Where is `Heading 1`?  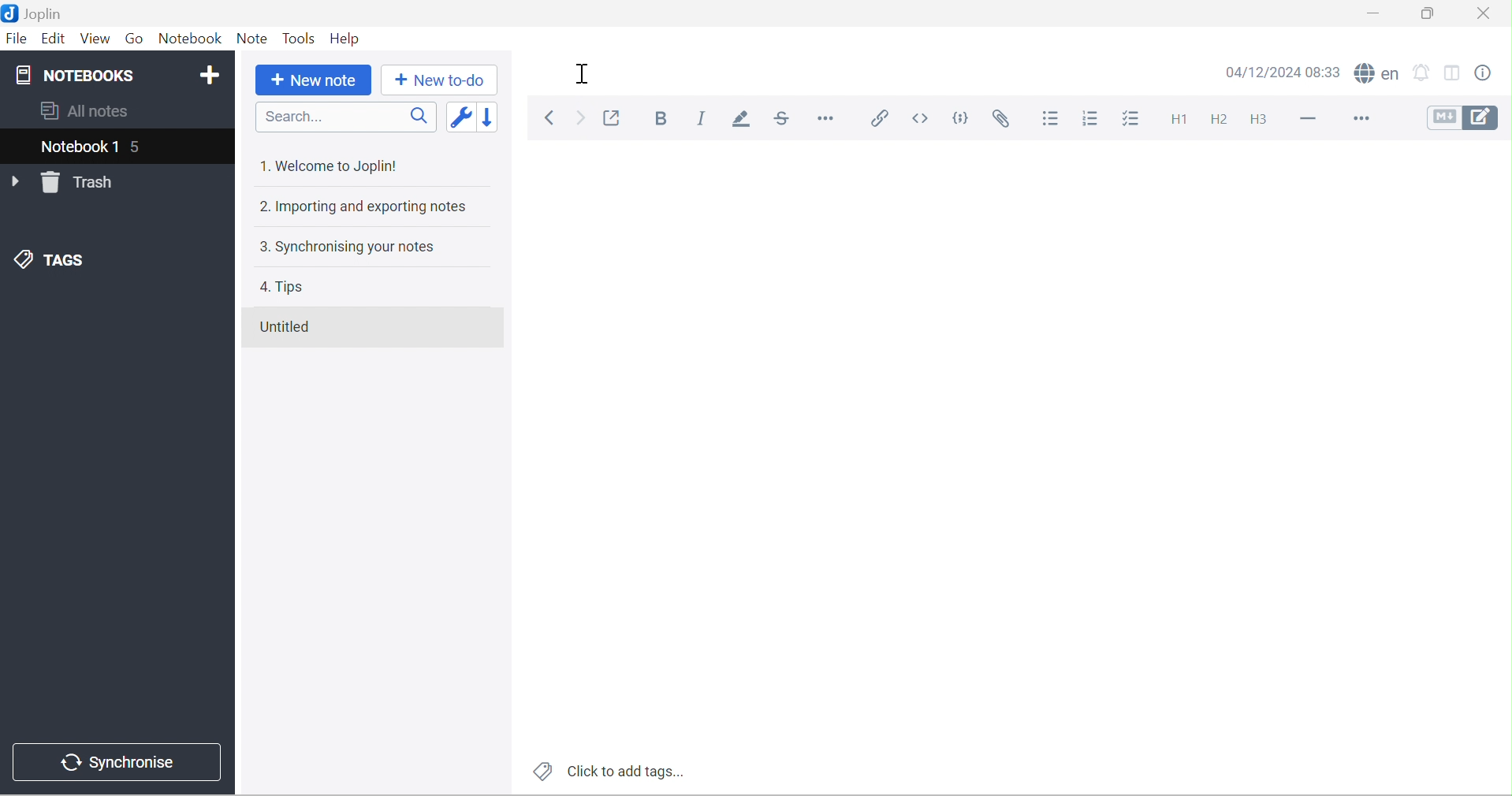
Heading 1 is located at coordinates (1185, 118).